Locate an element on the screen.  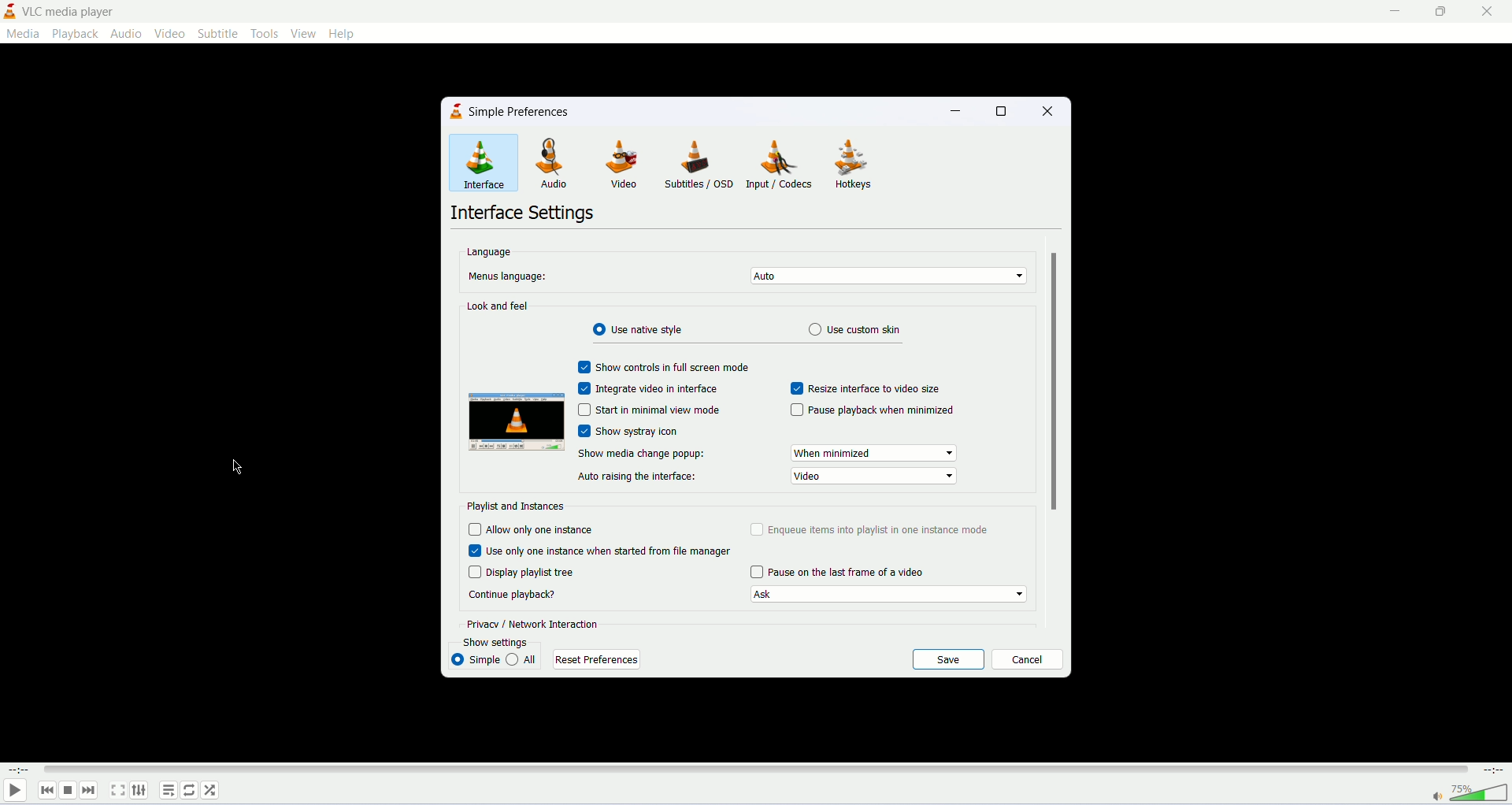
next track is located at coordinates (89, 790).